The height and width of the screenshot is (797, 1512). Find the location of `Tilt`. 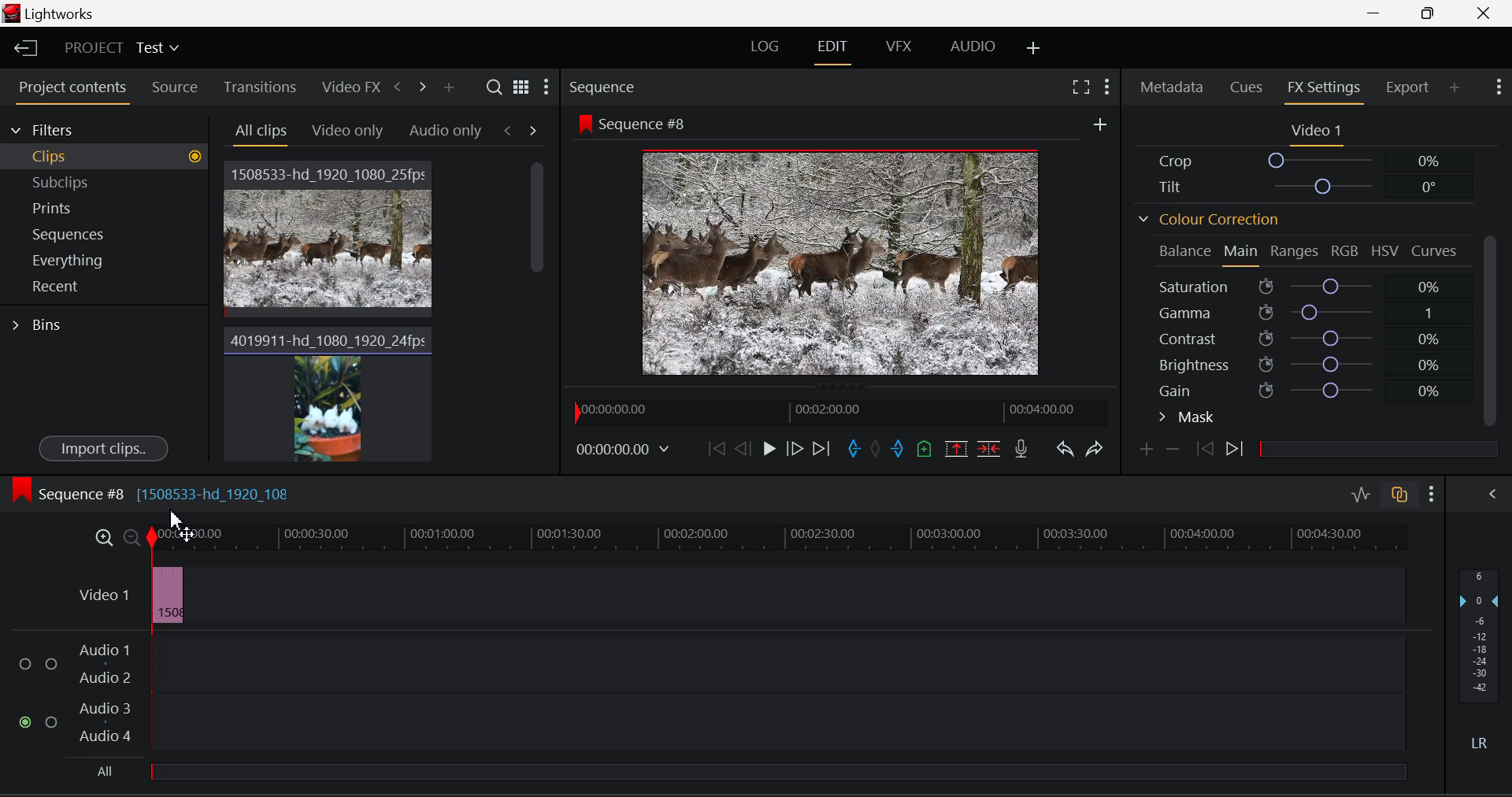

Tilt is located at coordinates (1299, 187).